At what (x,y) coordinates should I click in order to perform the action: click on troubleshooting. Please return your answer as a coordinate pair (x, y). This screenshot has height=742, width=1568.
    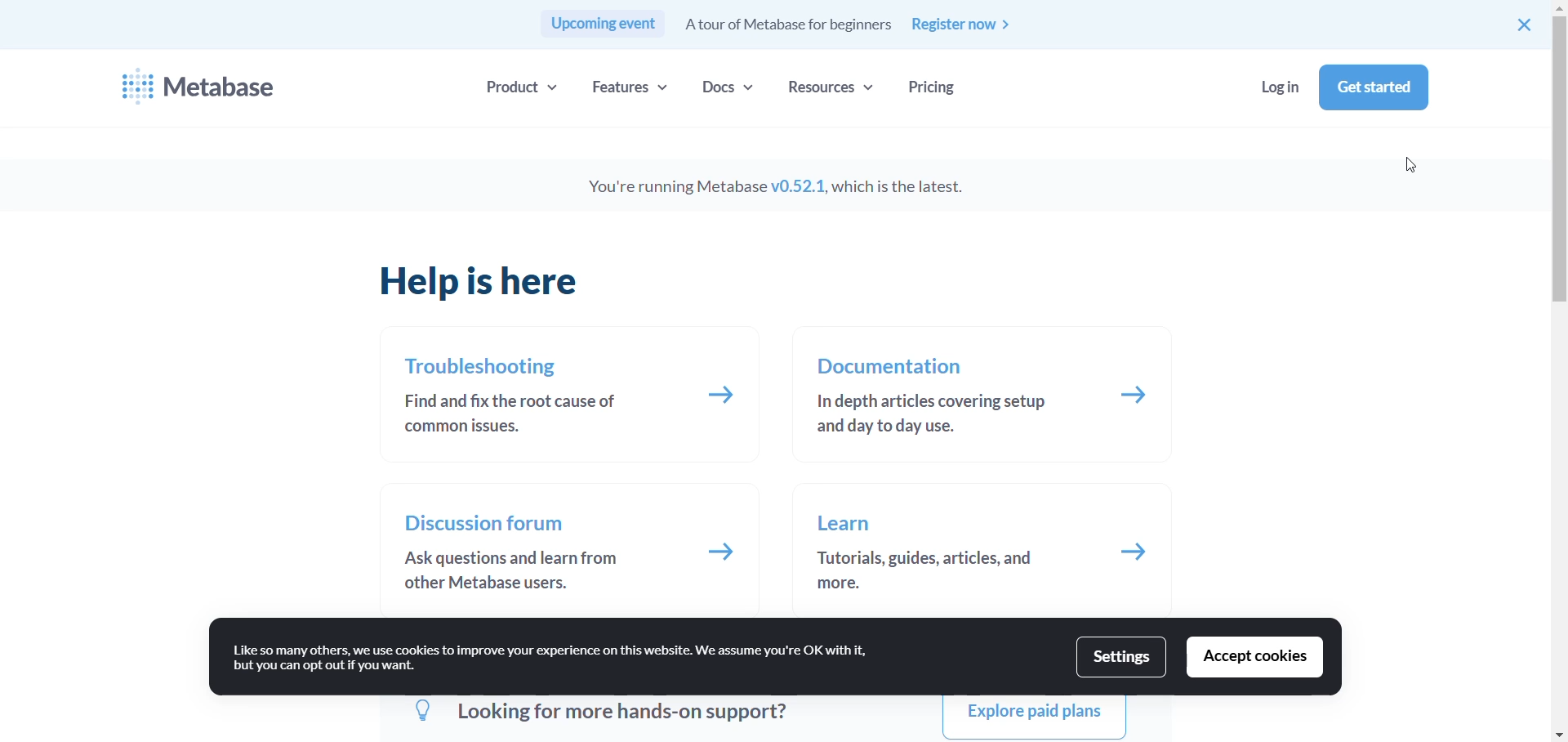
    Looking at the image, I should click on (484, 367).